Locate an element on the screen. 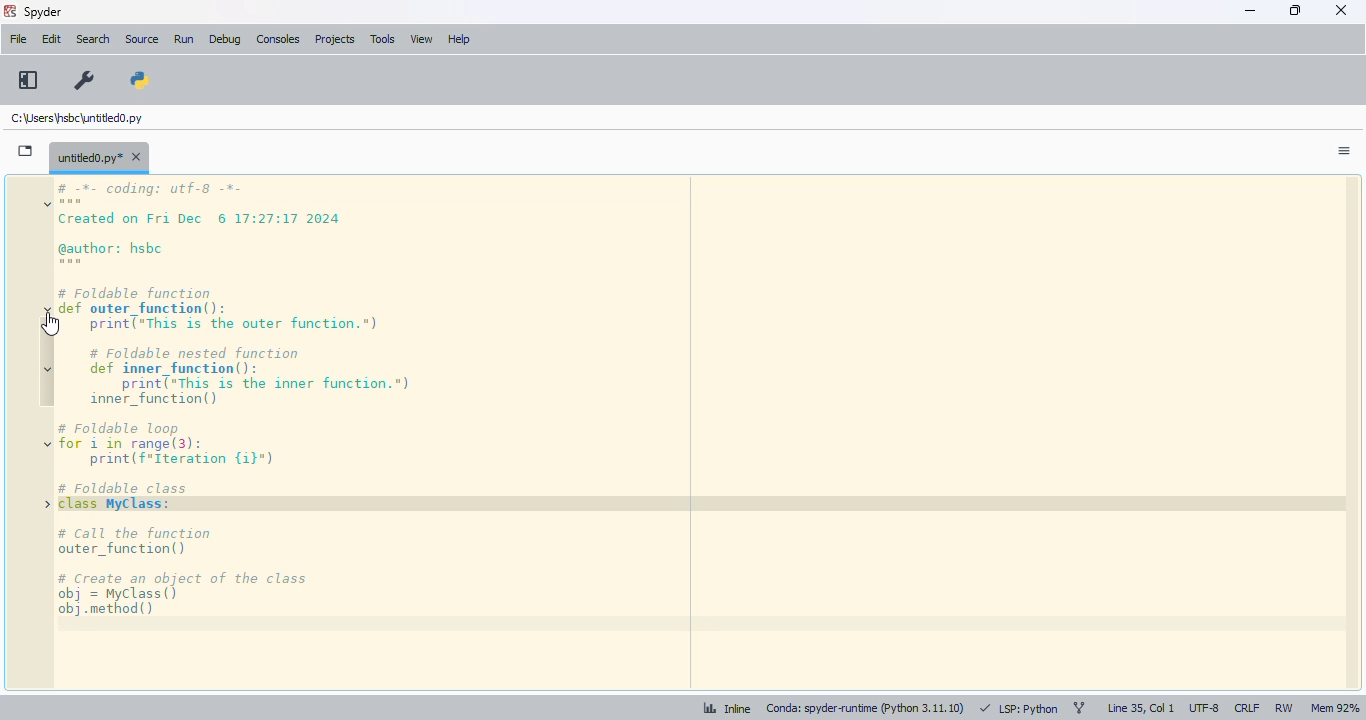  projects is located at coordinates (336, 40).